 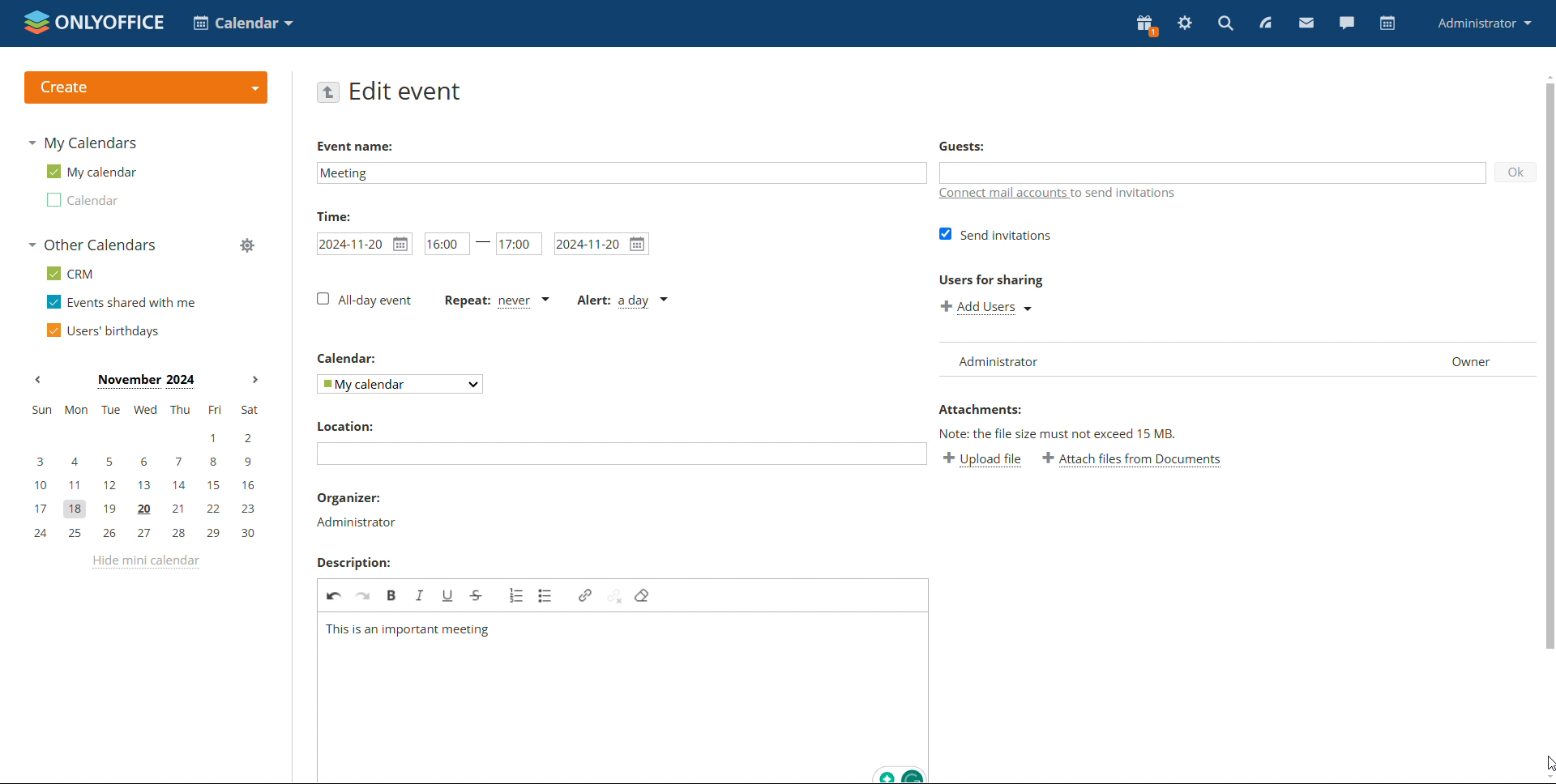 What do you see at coordinates (347, 360) in the screenshot?
I see `calendar` at bounding box center [347, 360].